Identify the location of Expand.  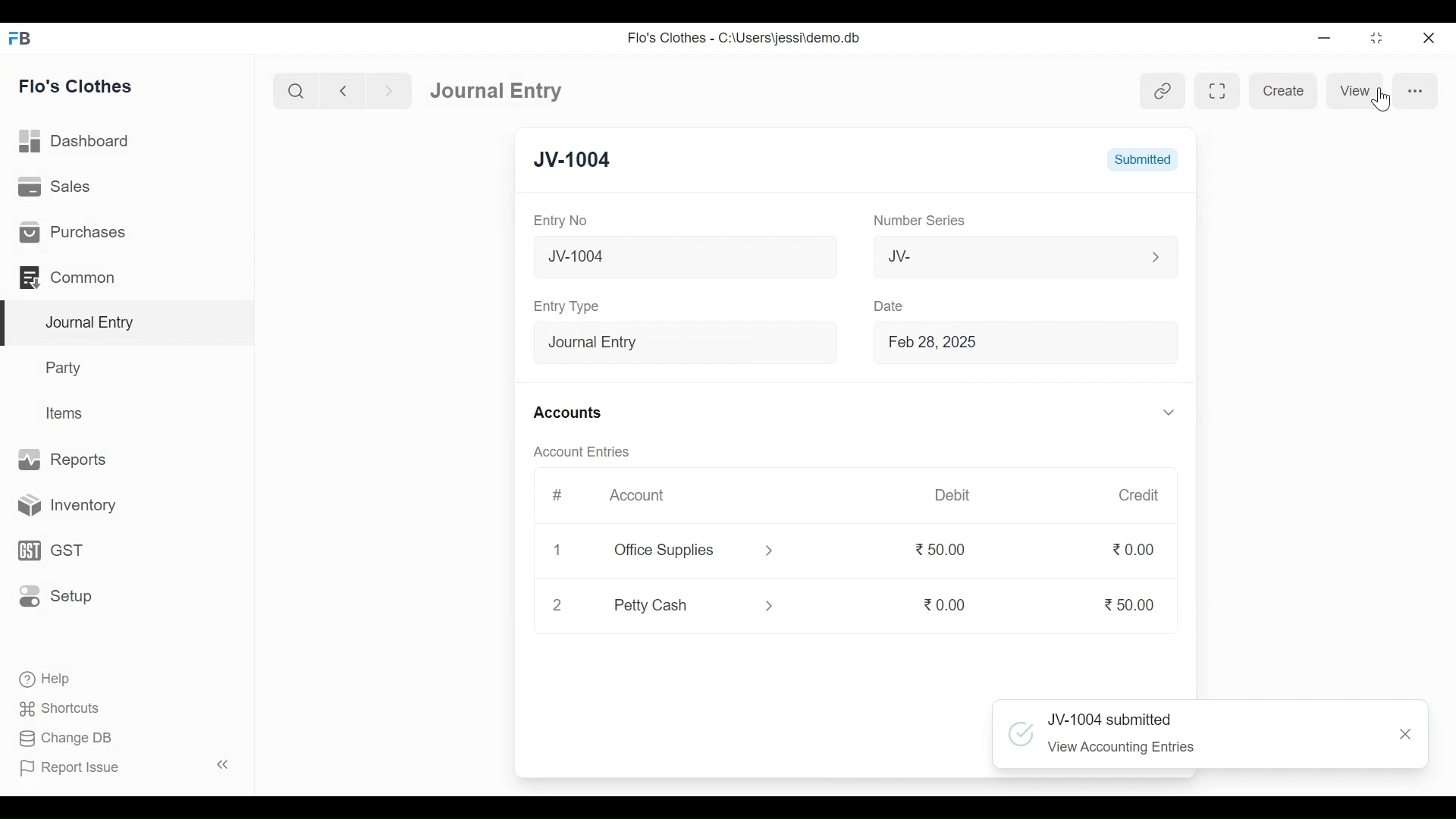
(817, 343).